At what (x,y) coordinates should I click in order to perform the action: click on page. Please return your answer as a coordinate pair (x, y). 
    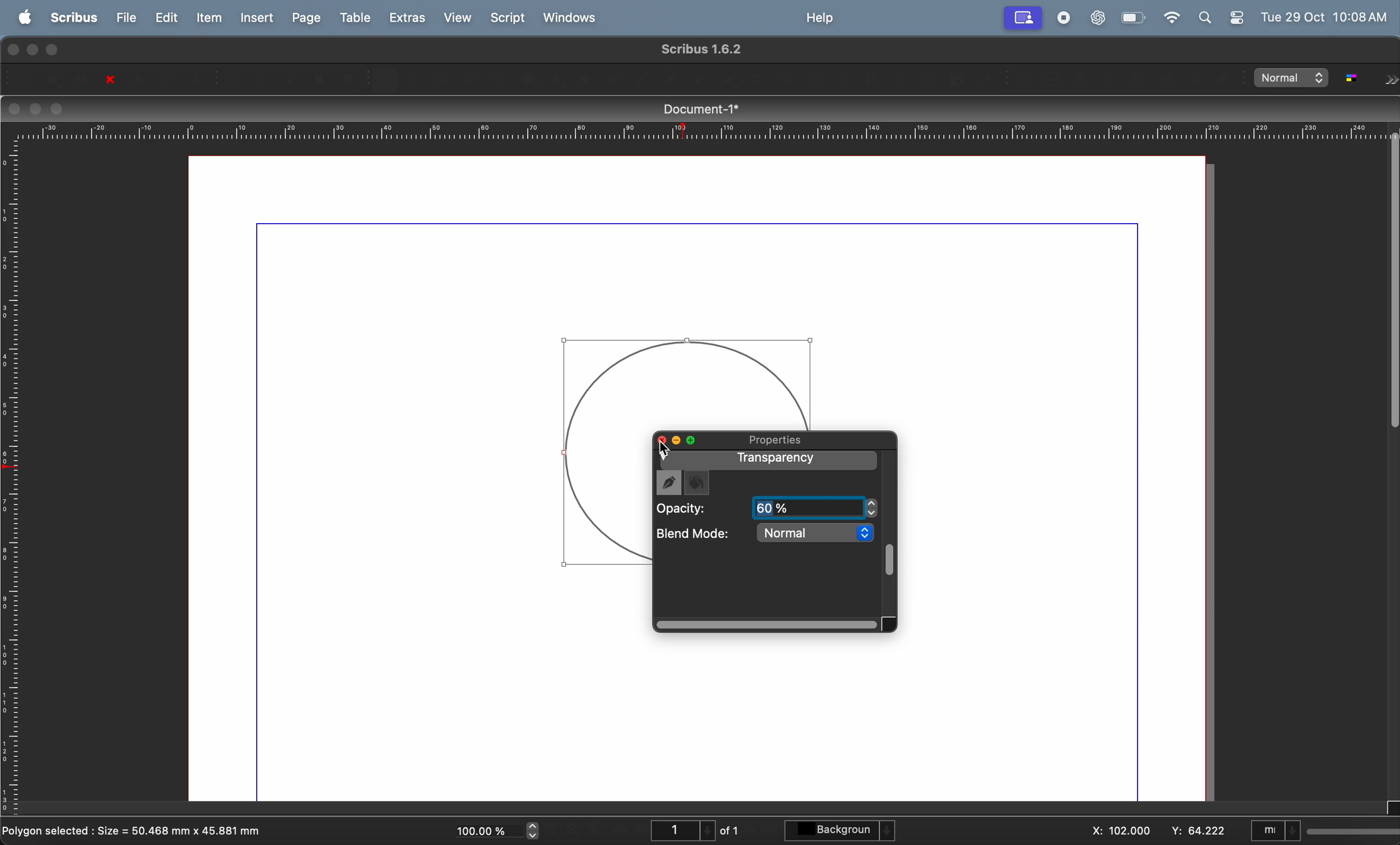
    Looking at the image, I should click on (305, 18).